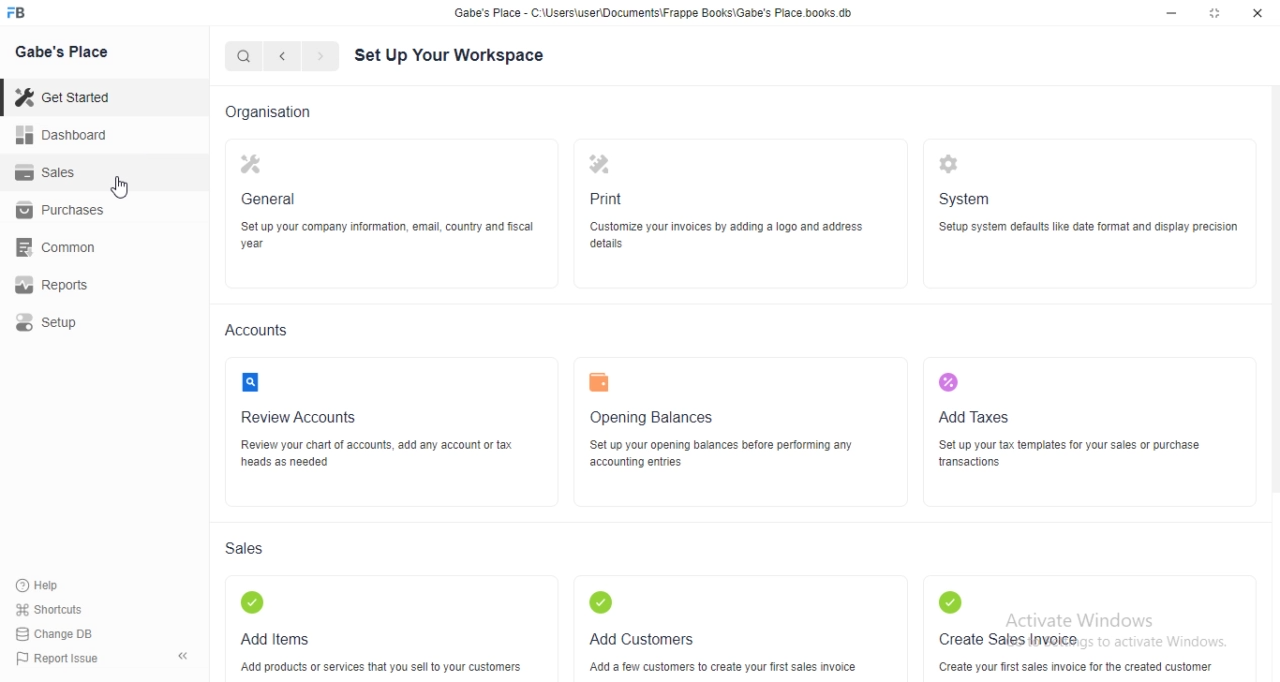 This screenshot has height=682, width=1280. I want to click on 5S ‘Setup system defaults like date format and display, so click(1080, 226).